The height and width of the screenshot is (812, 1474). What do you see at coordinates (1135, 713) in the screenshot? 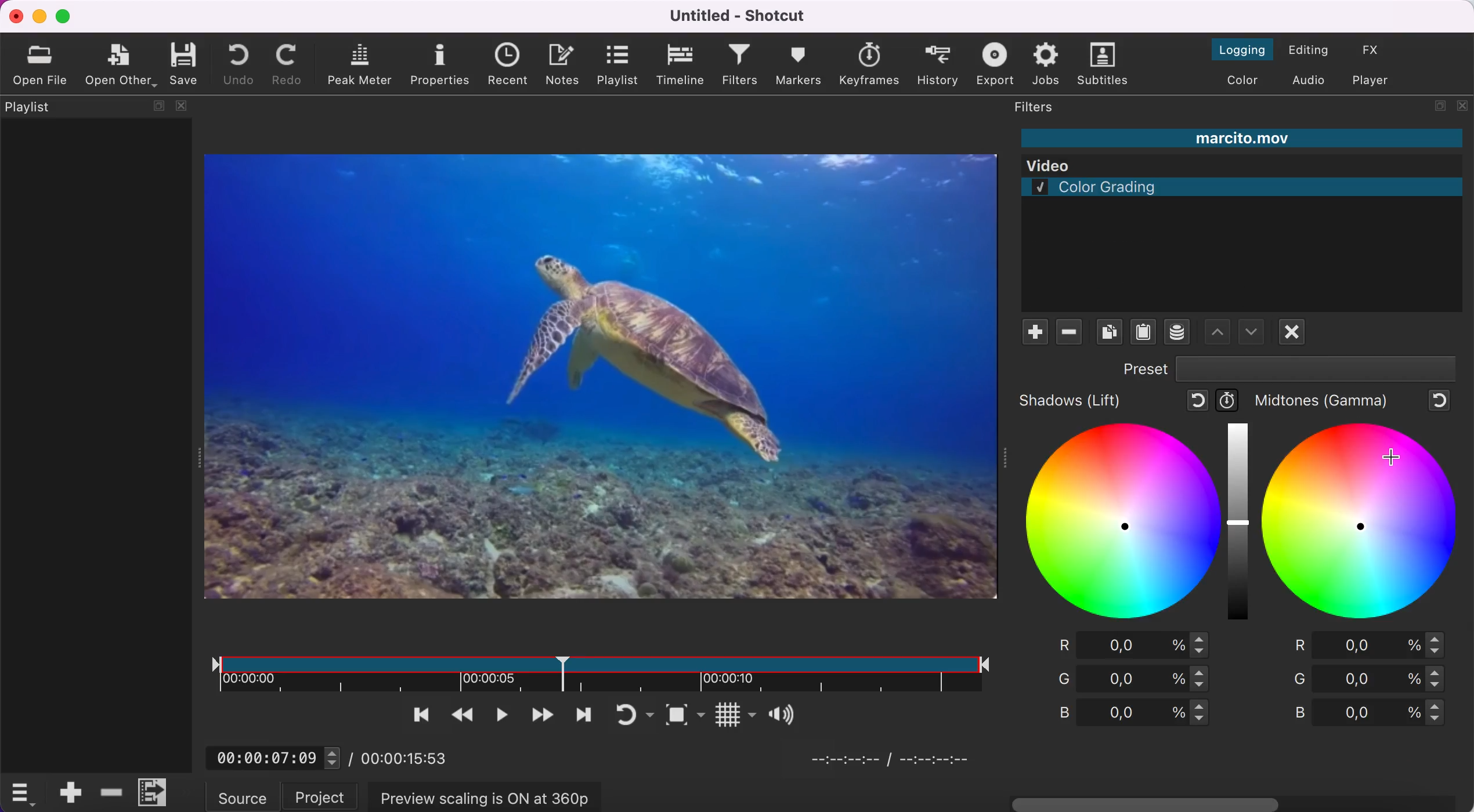
I see `blue` at bounding box center [1135, 713].